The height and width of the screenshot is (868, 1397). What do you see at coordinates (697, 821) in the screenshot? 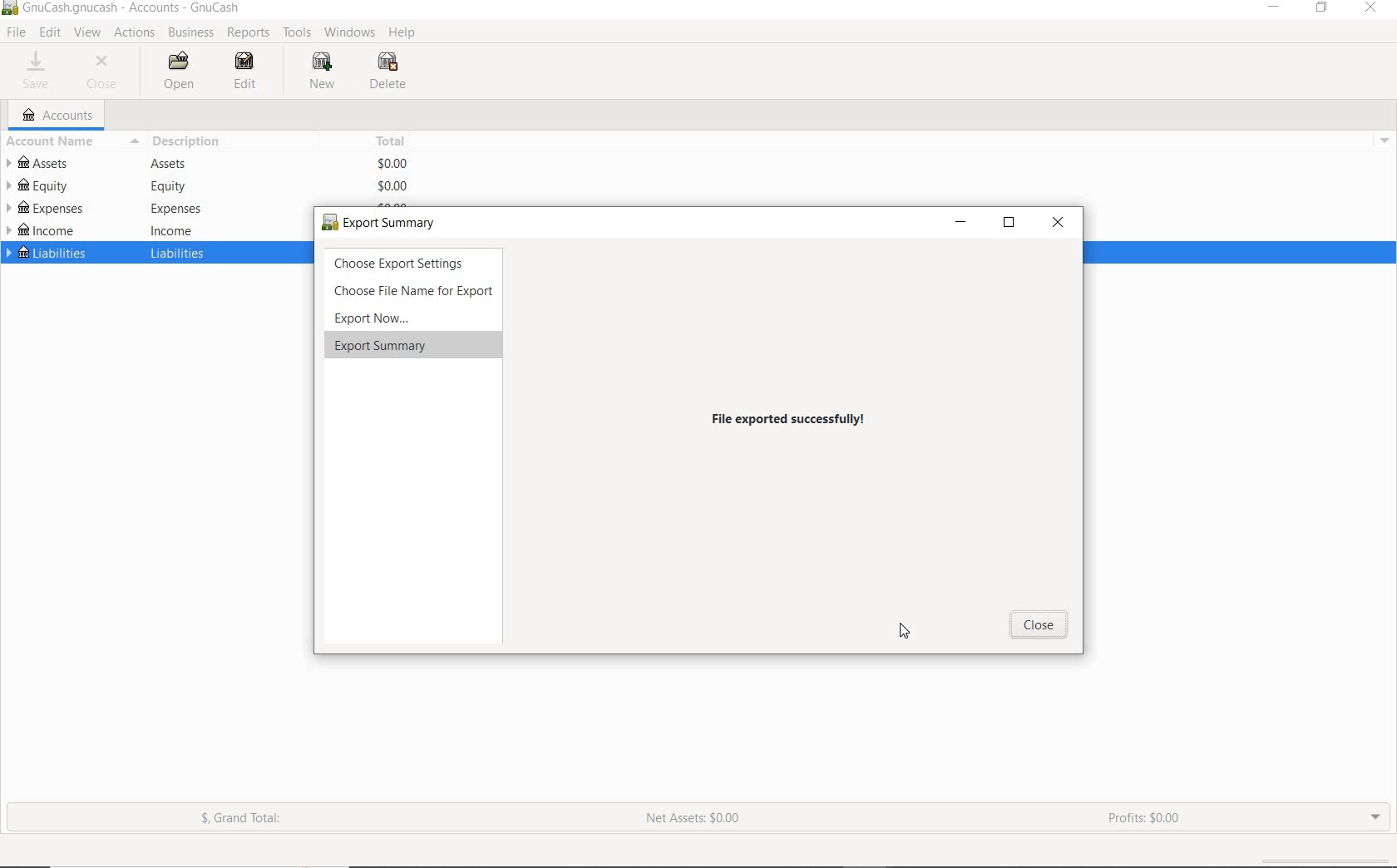
I see `NET ASSETS` at bounding box center [697, 821].